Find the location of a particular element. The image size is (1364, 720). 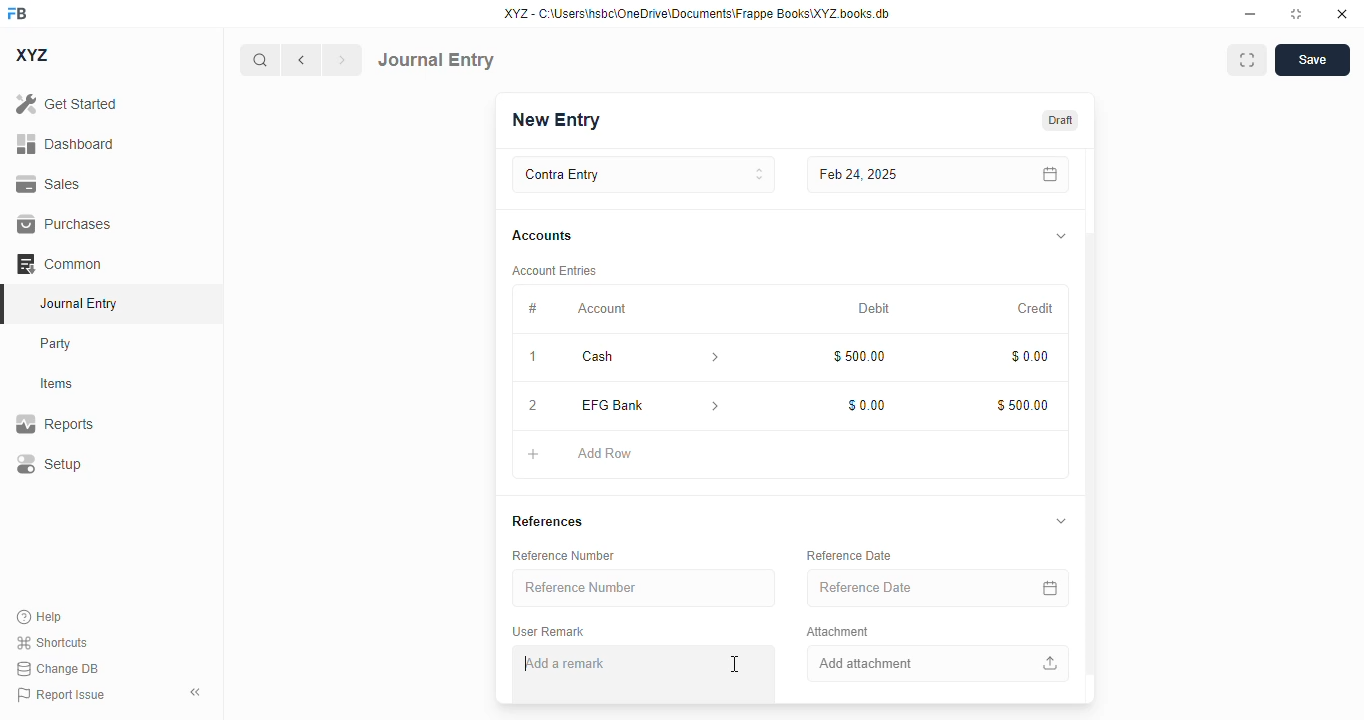

add attachment is located at coordinates (935, 664).